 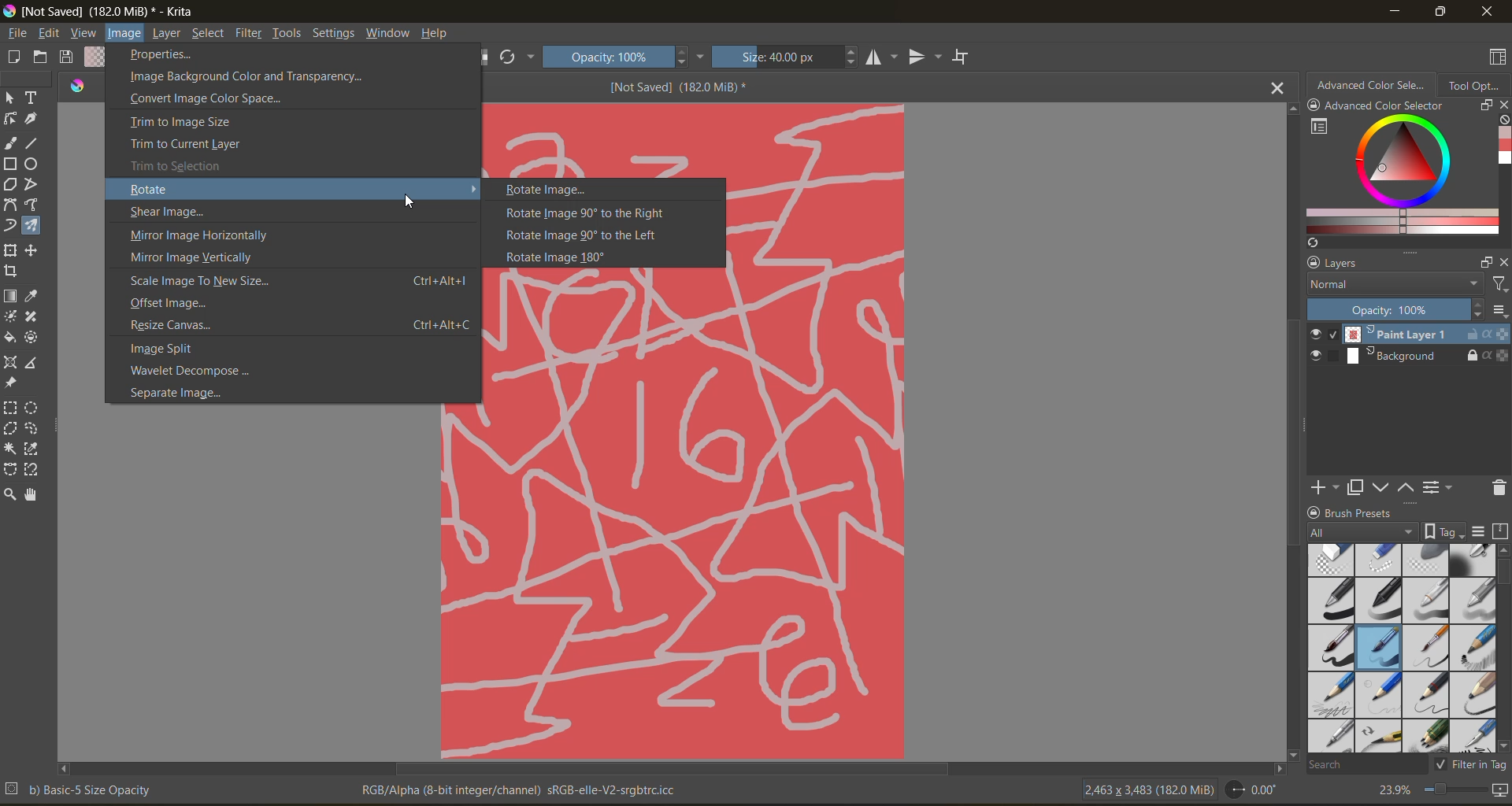 I want to click on rotate image 180, so click(x=567, y=257).